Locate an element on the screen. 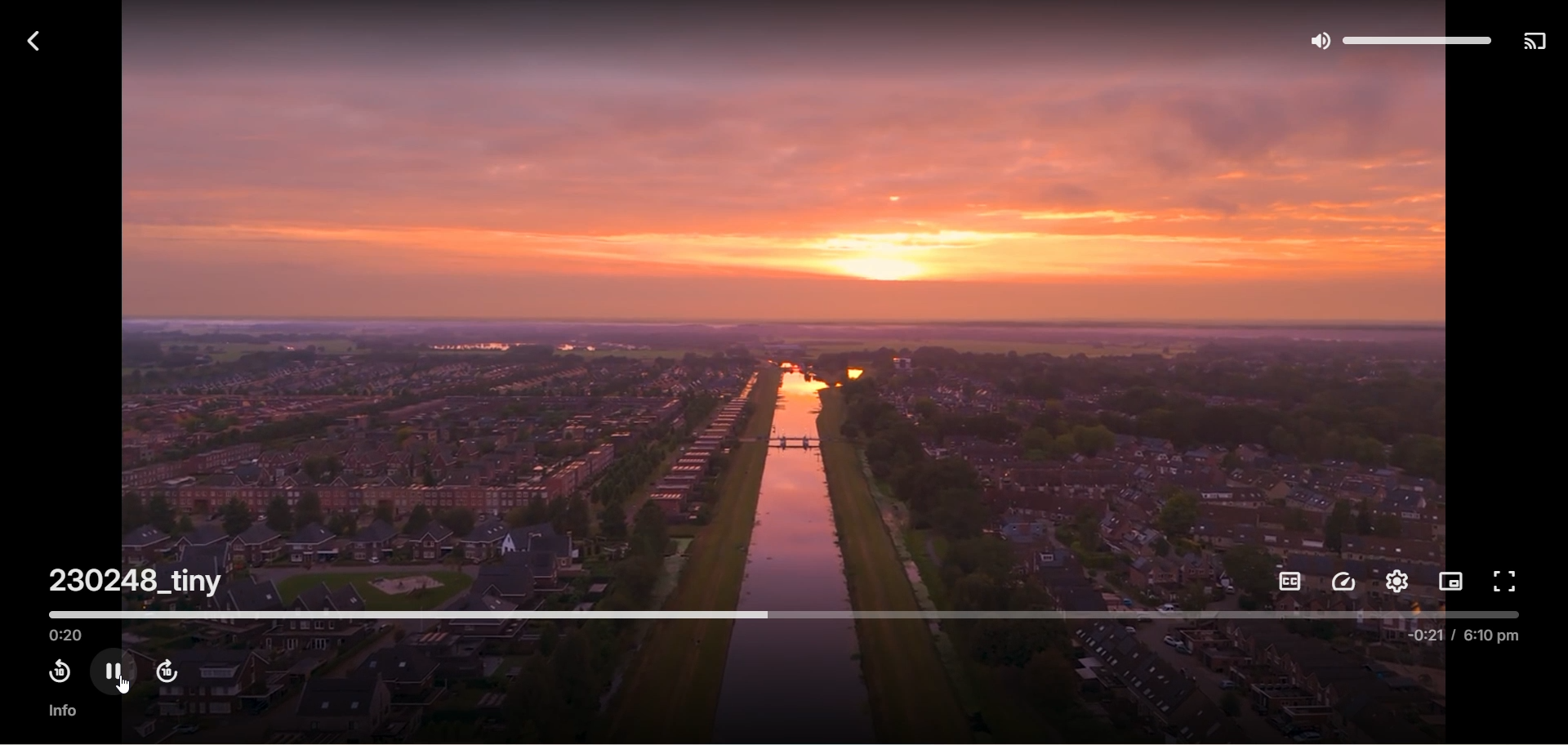  230248_tiny is located at coordinates (131, 582).